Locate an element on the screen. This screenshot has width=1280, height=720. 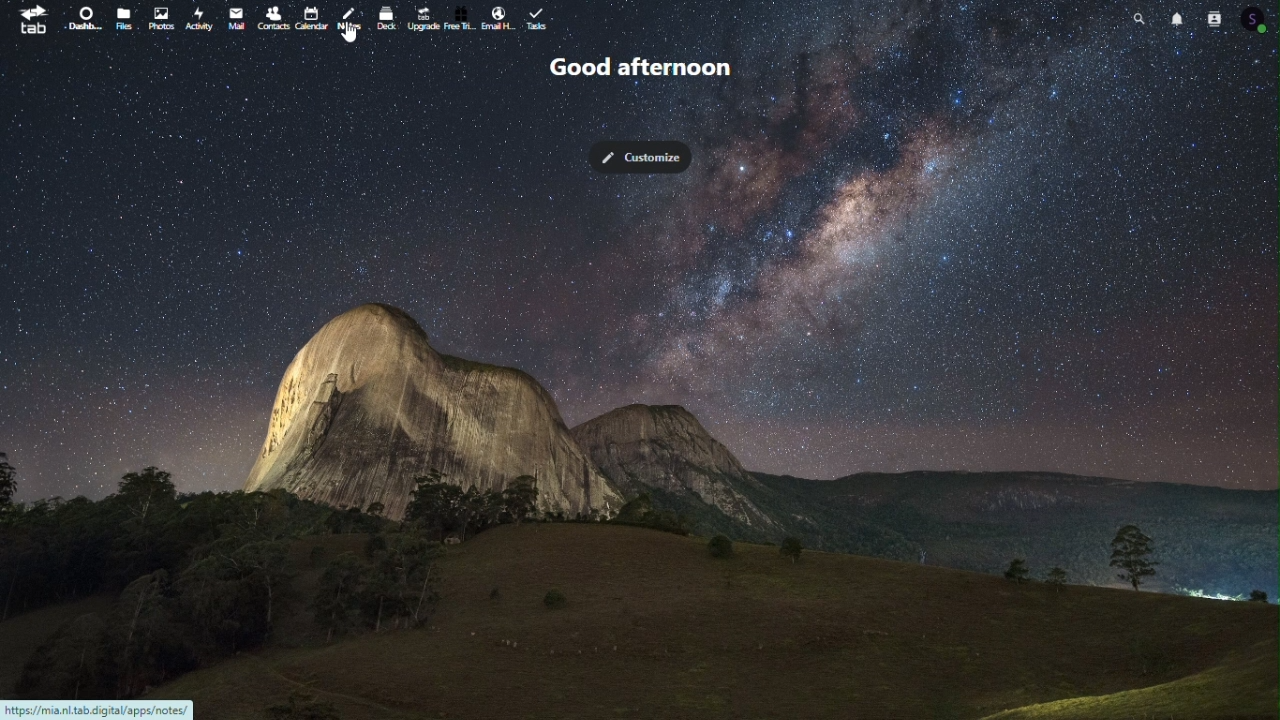
Search bar is located at coordinates (1137, 17).